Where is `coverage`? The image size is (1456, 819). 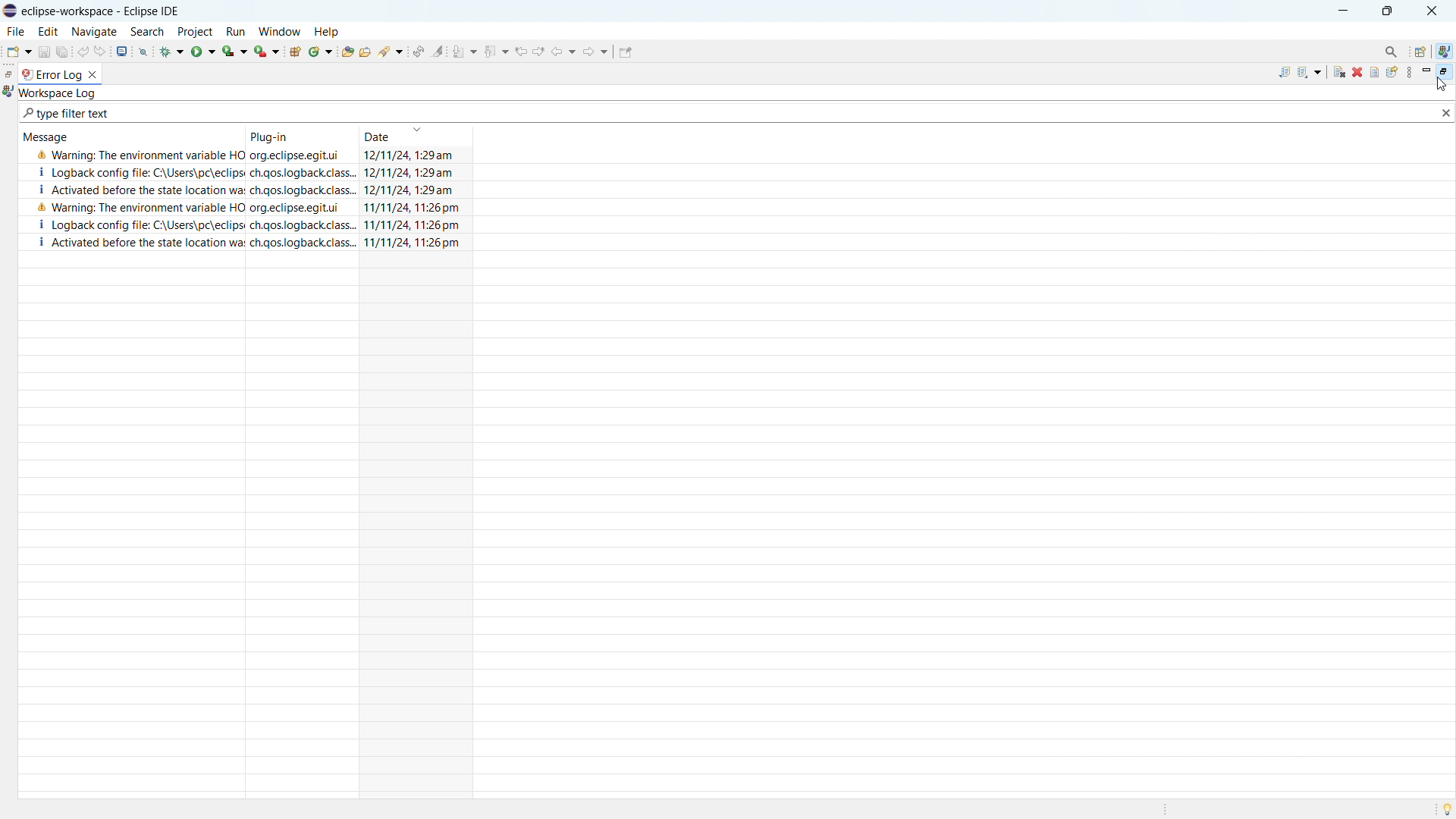
coverage is located at coordinates (234, 50).